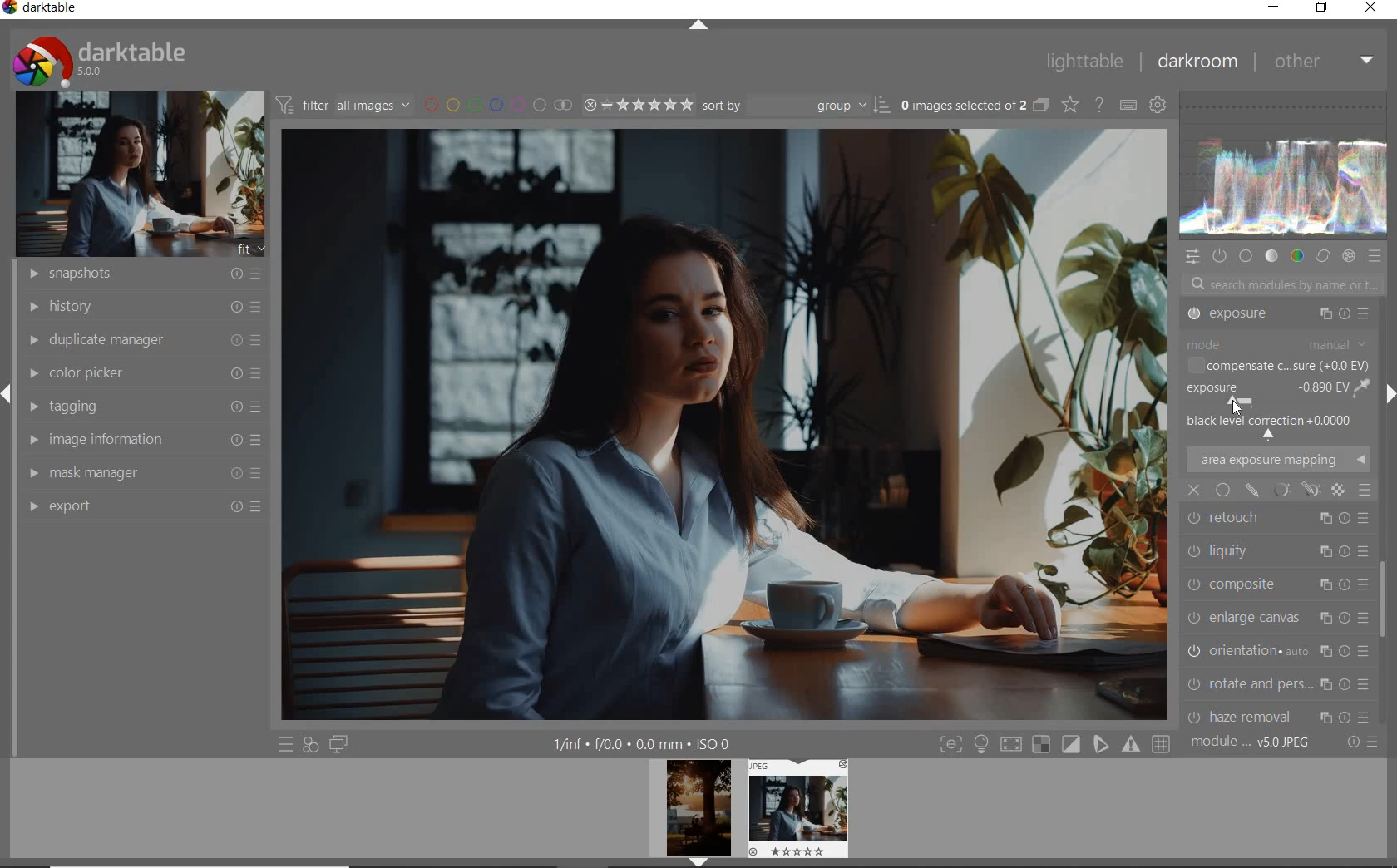 The height and width of the screenshot is (868, 1397). Describe the element at coordinates (1276, 385) in the screenshot. I see `EXPOSURE` at that location.